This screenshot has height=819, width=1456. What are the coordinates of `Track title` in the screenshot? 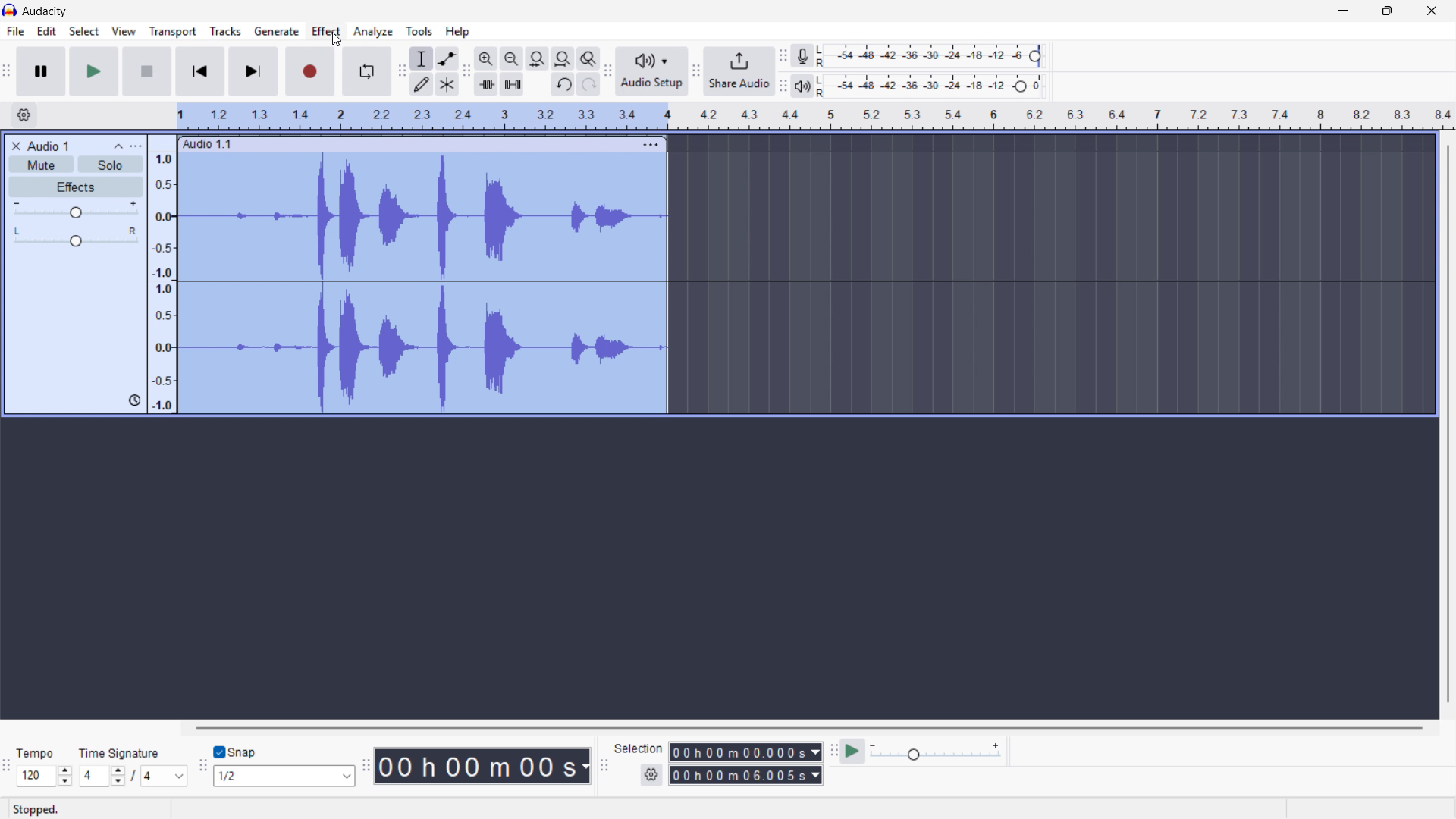 It's located at (49, 146).